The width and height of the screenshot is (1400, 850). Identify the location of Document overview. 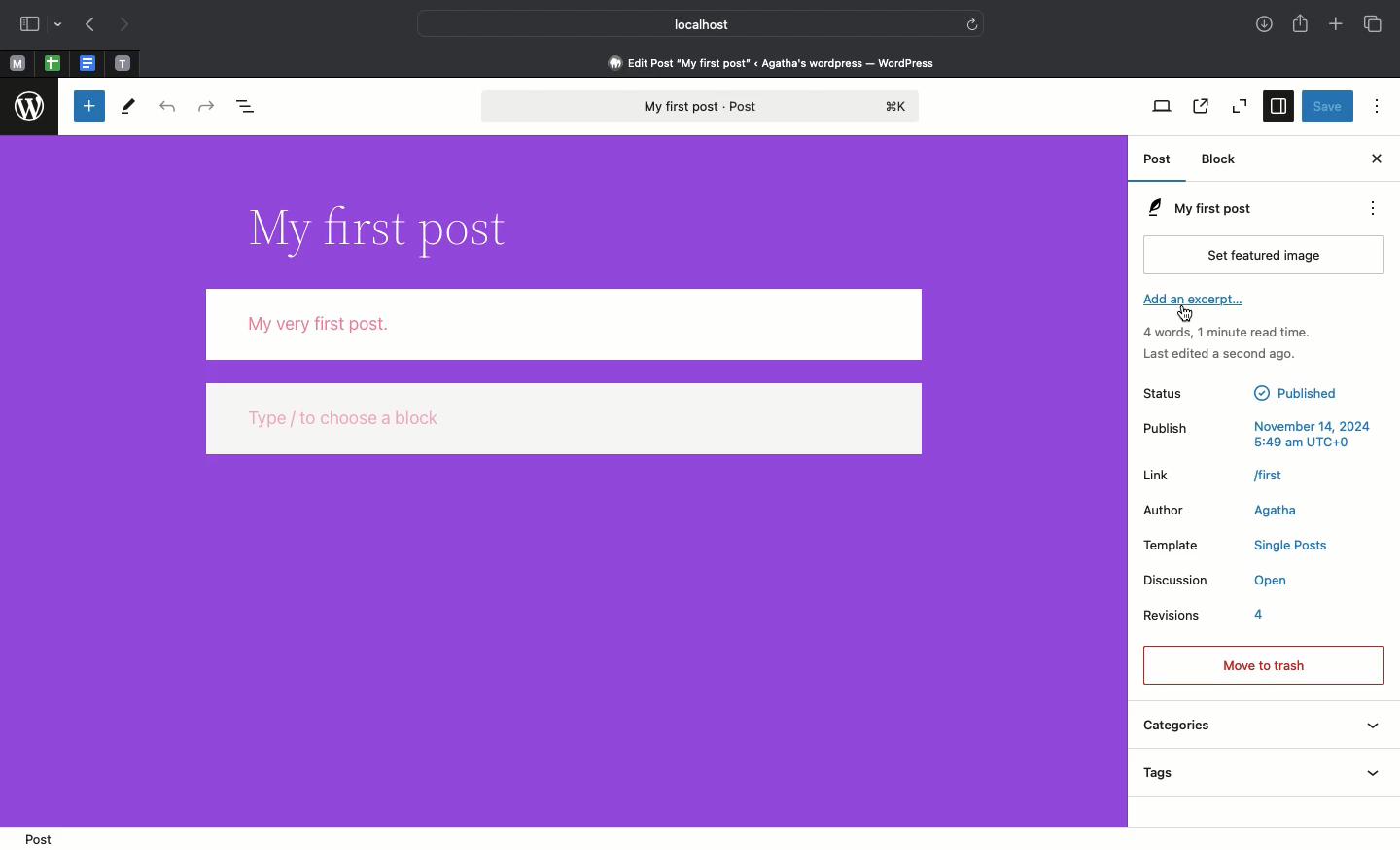
(253, 108).